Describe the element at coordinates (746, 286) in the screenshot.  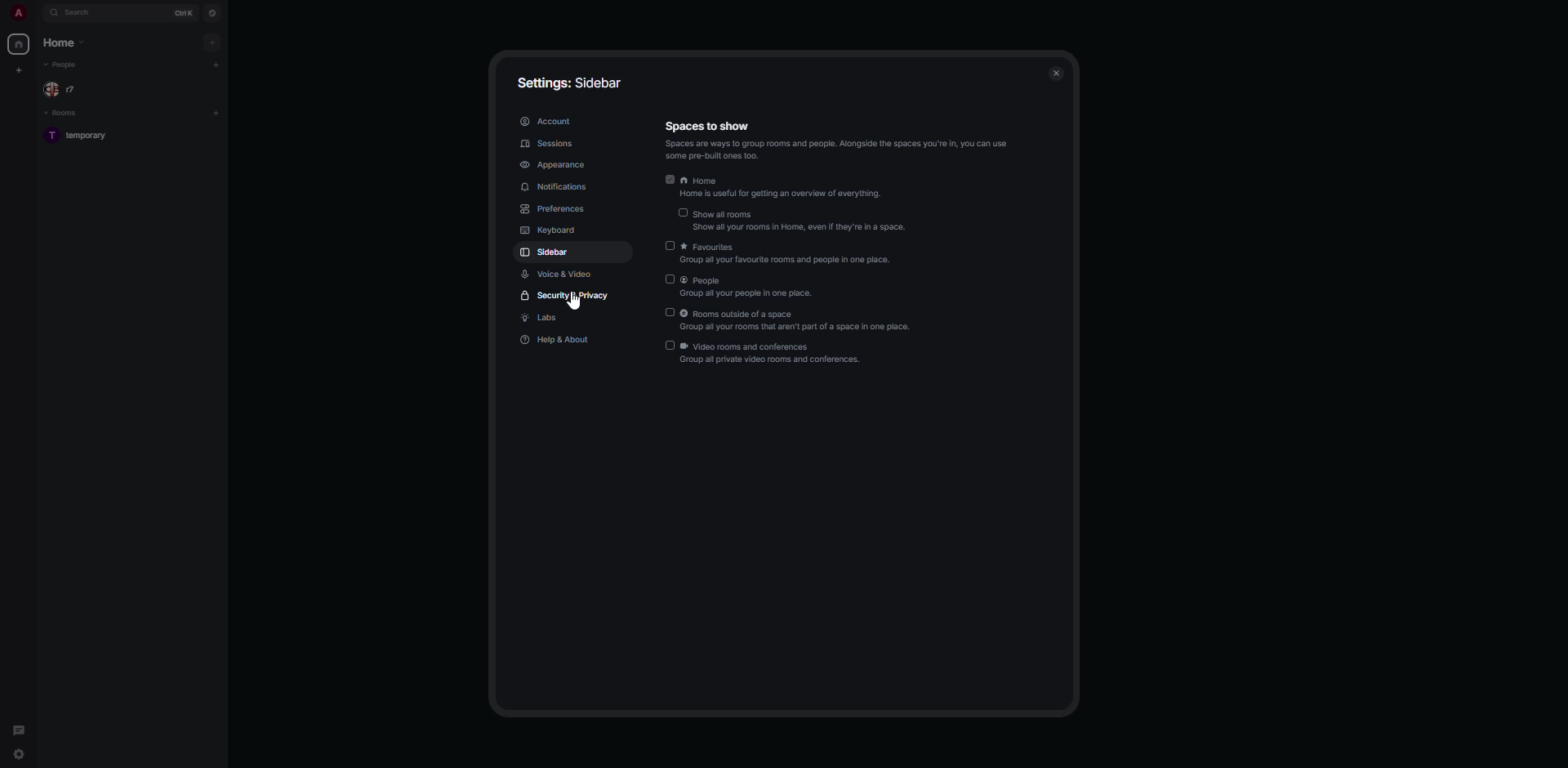
I see `people` at that location.